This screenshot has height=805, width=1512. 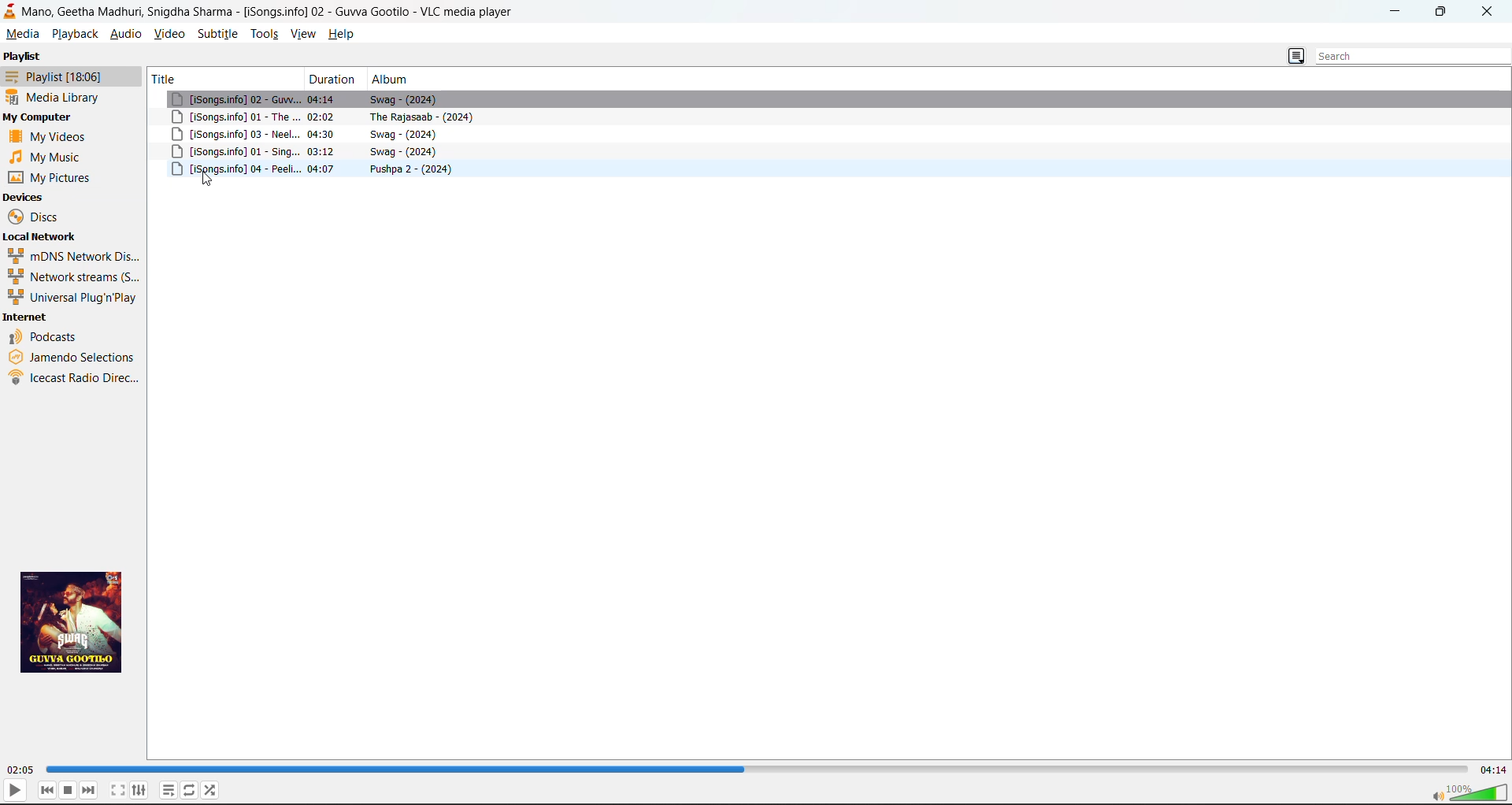 What do you see at coordinates (190, 789) in the screenshot?
I see `toggle loop` at bounding box center [190, 789].